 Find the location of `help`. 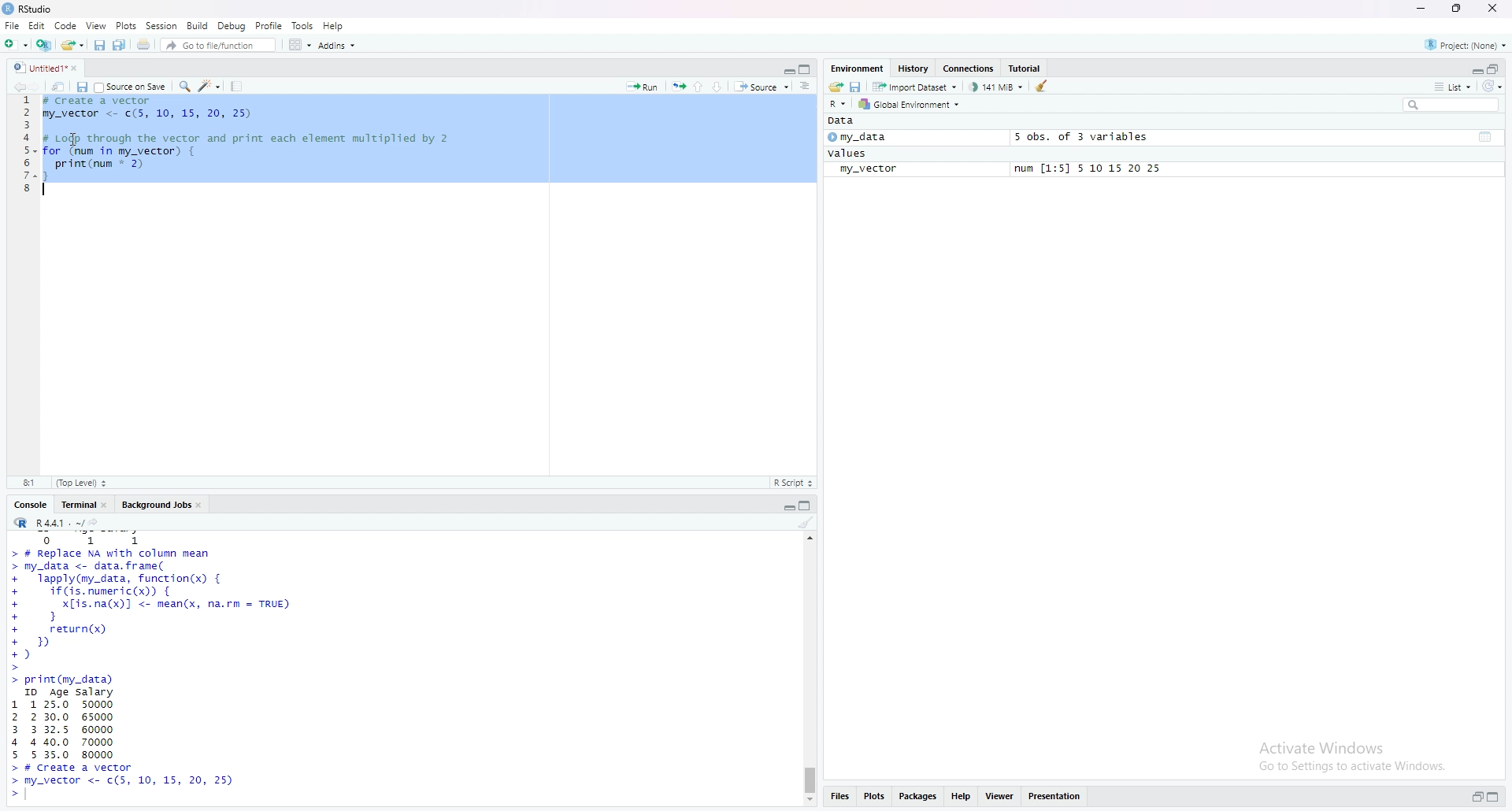

help is located at coordinates (963, 794).